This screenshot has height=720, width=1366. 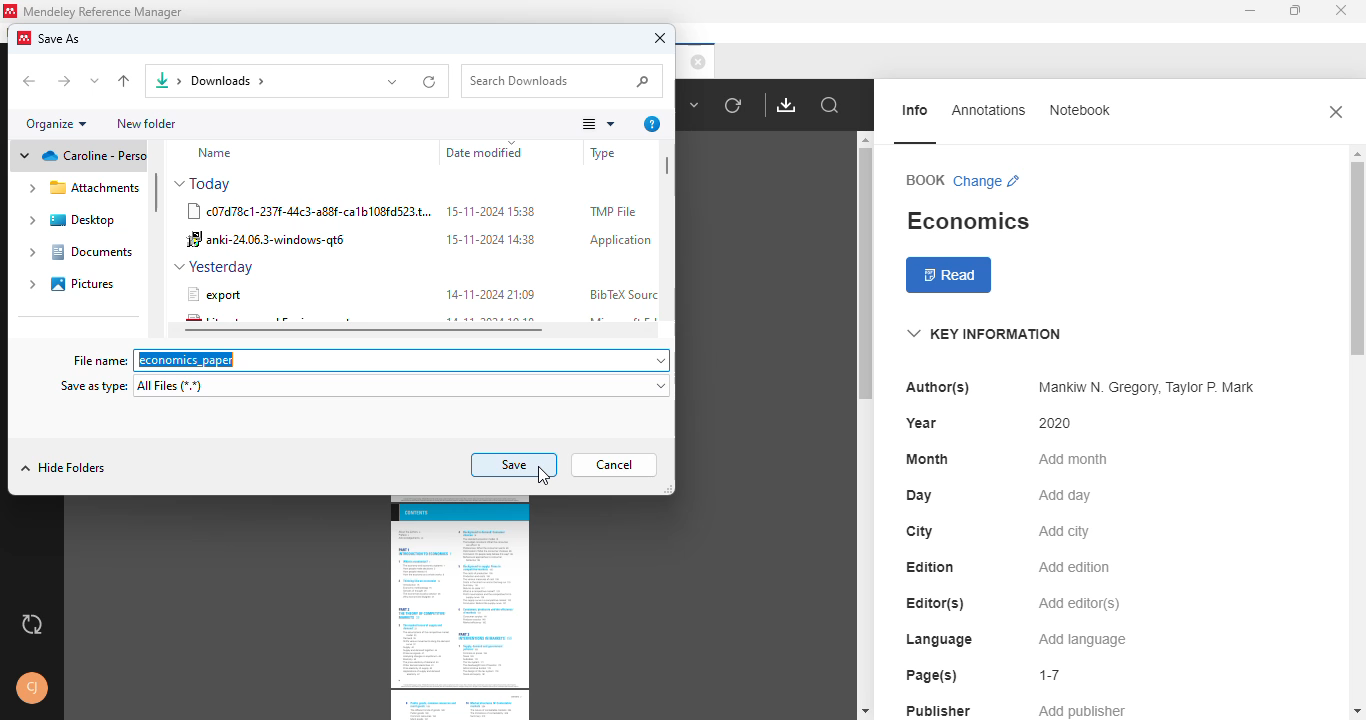 I want to click on today, so click(x=206, y=184).